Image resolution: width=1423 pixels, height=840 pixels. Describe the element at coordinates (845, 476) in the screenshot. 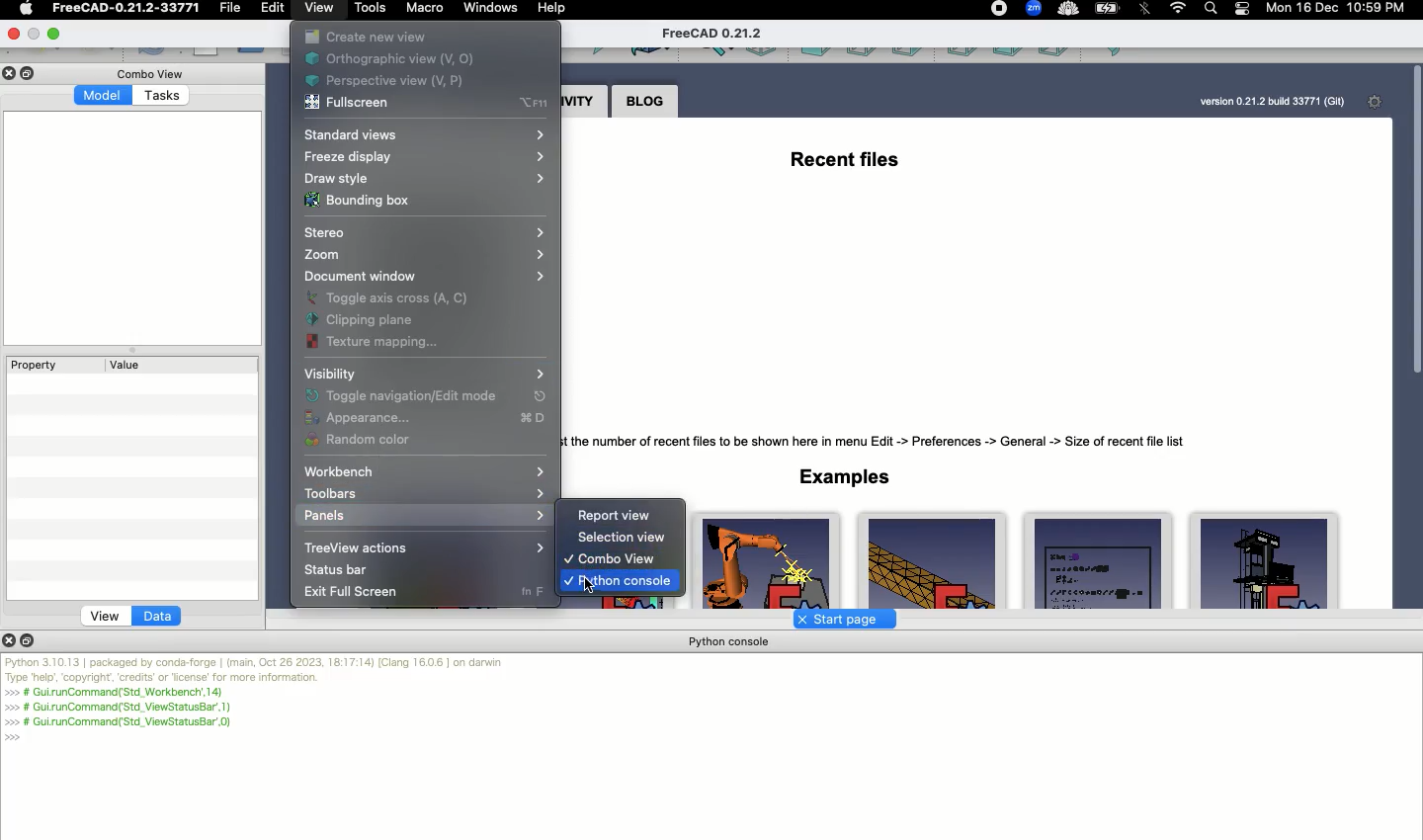

I see `Examples` at that location.